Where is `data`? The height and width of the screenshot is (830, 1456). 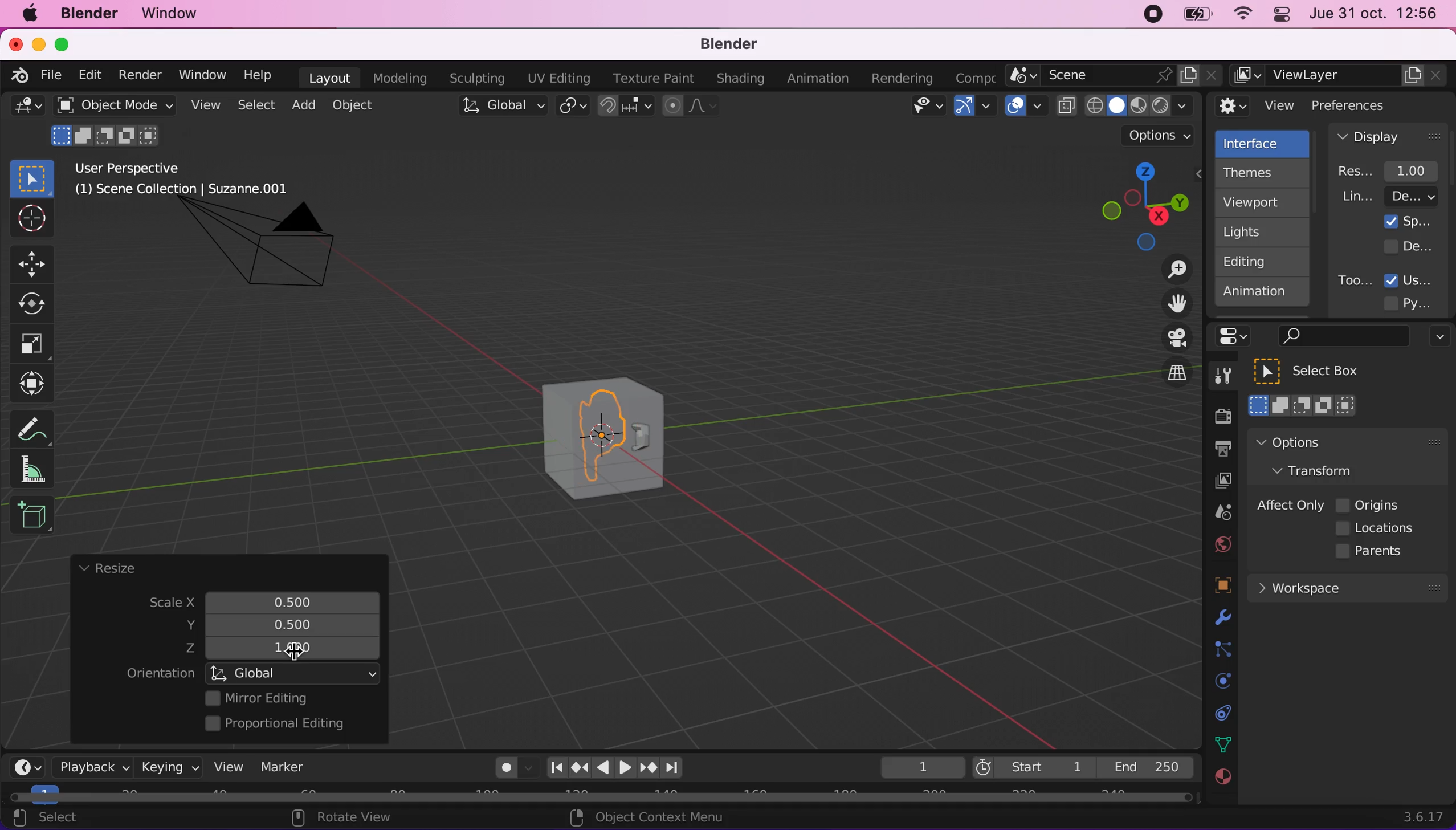 data is located at coordinates (1220, 743).